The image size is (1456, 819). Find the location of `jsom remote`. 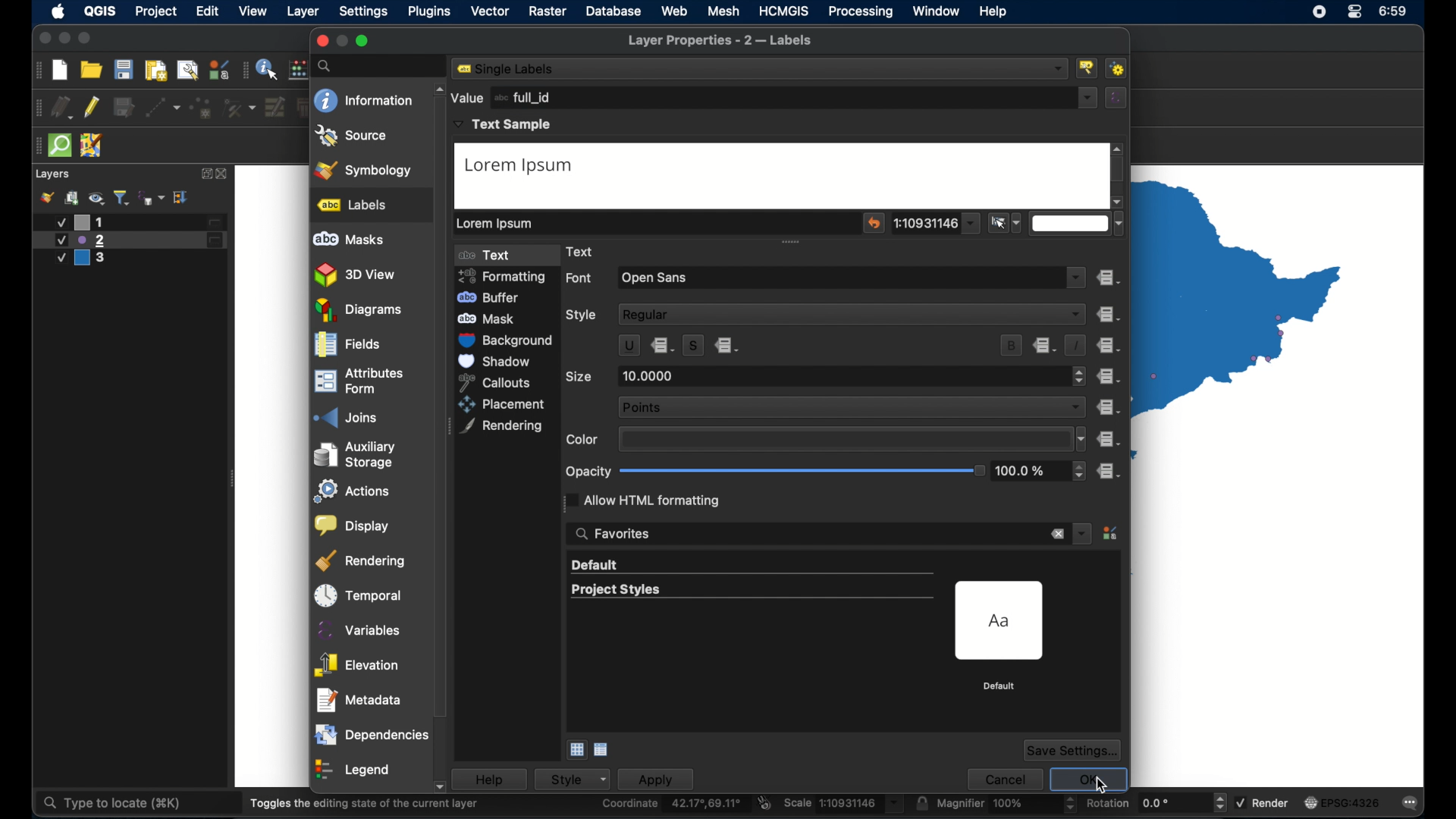

jsom remote is located at coordinates (92, 145).